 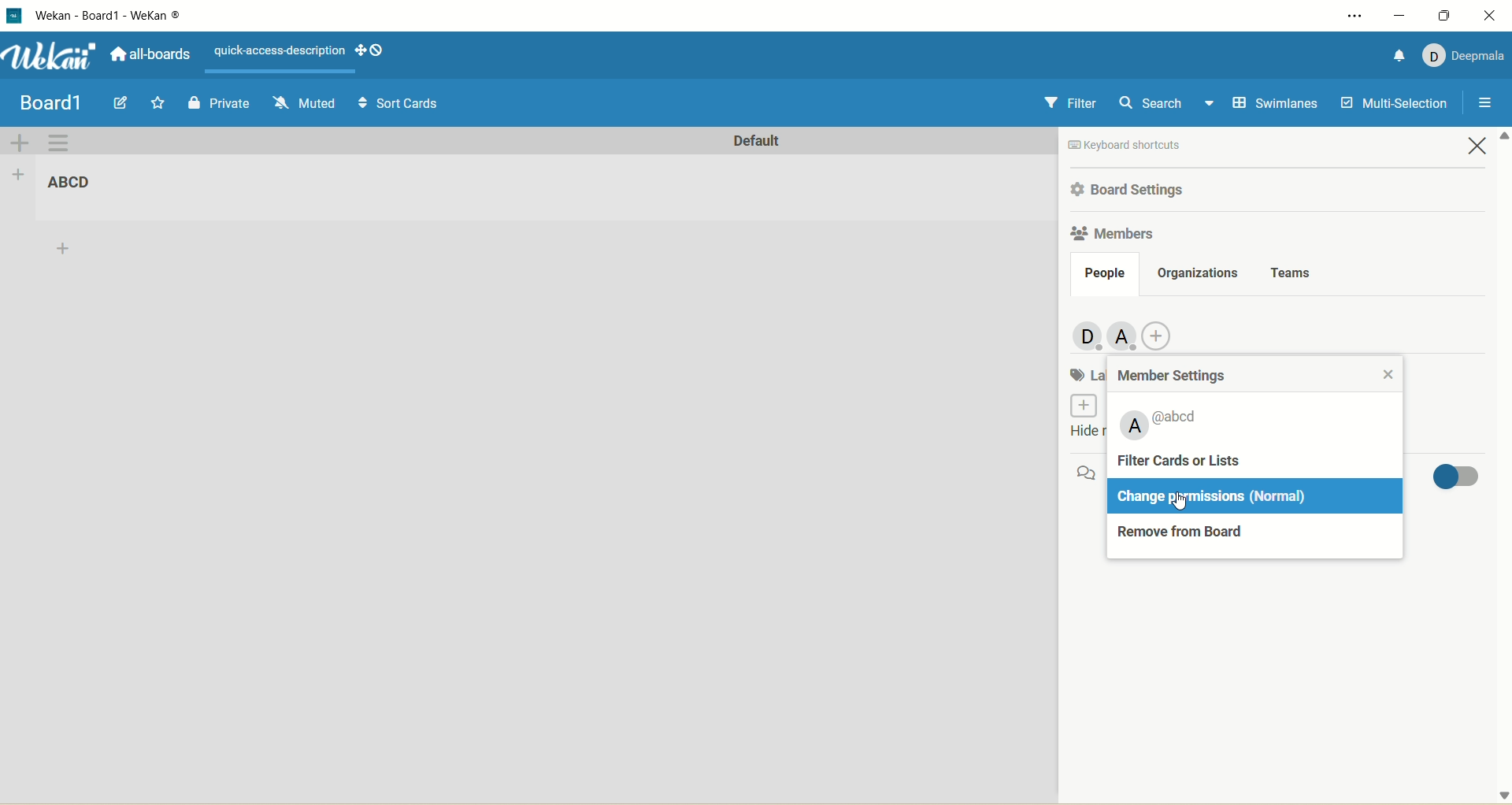 What do you see at coordinates (1443, 16) in the screenshot?
I see `maximize` at bounding box center [1443, 16].